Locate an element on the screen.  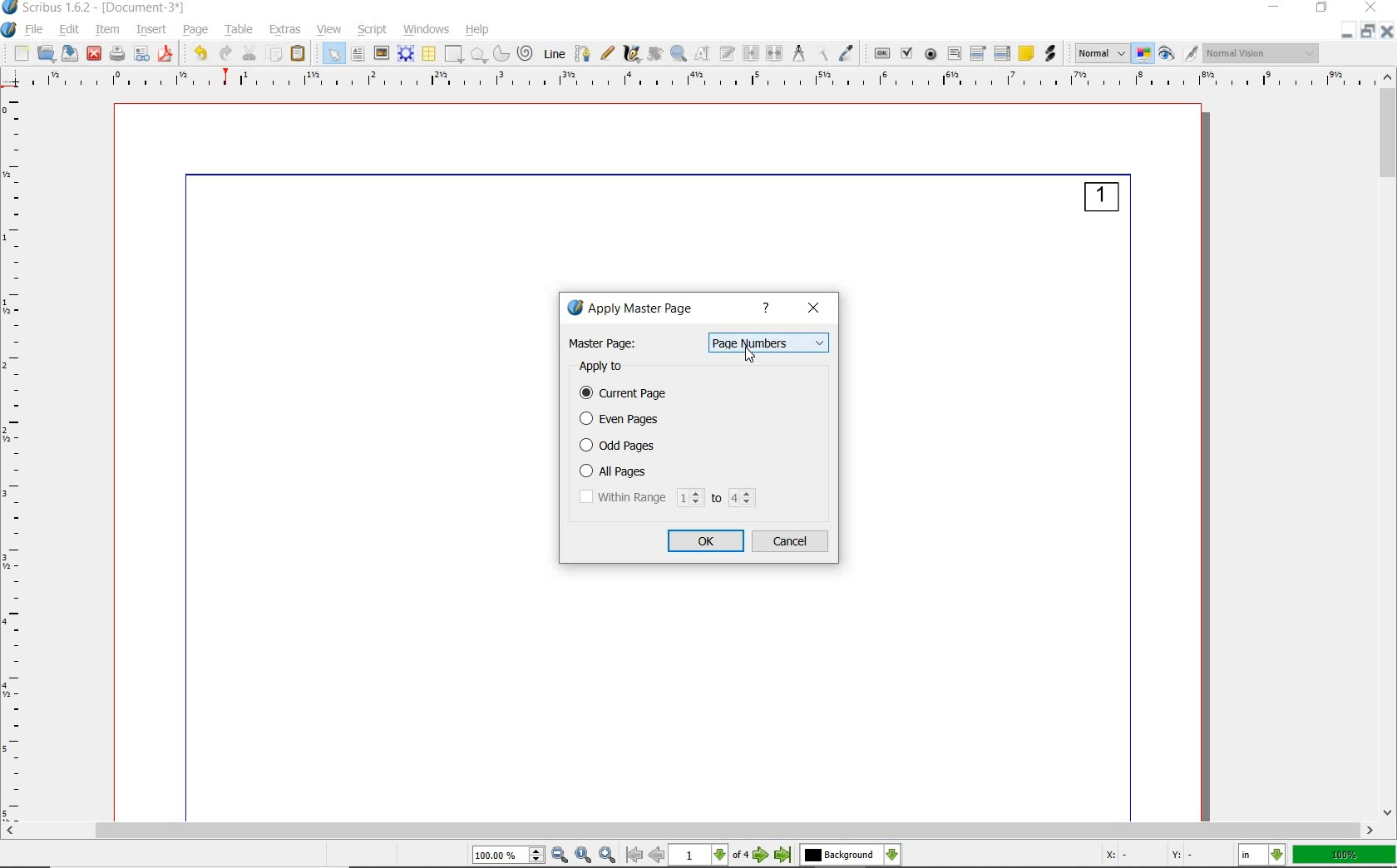
system logo is located at coordinates (9, 31).